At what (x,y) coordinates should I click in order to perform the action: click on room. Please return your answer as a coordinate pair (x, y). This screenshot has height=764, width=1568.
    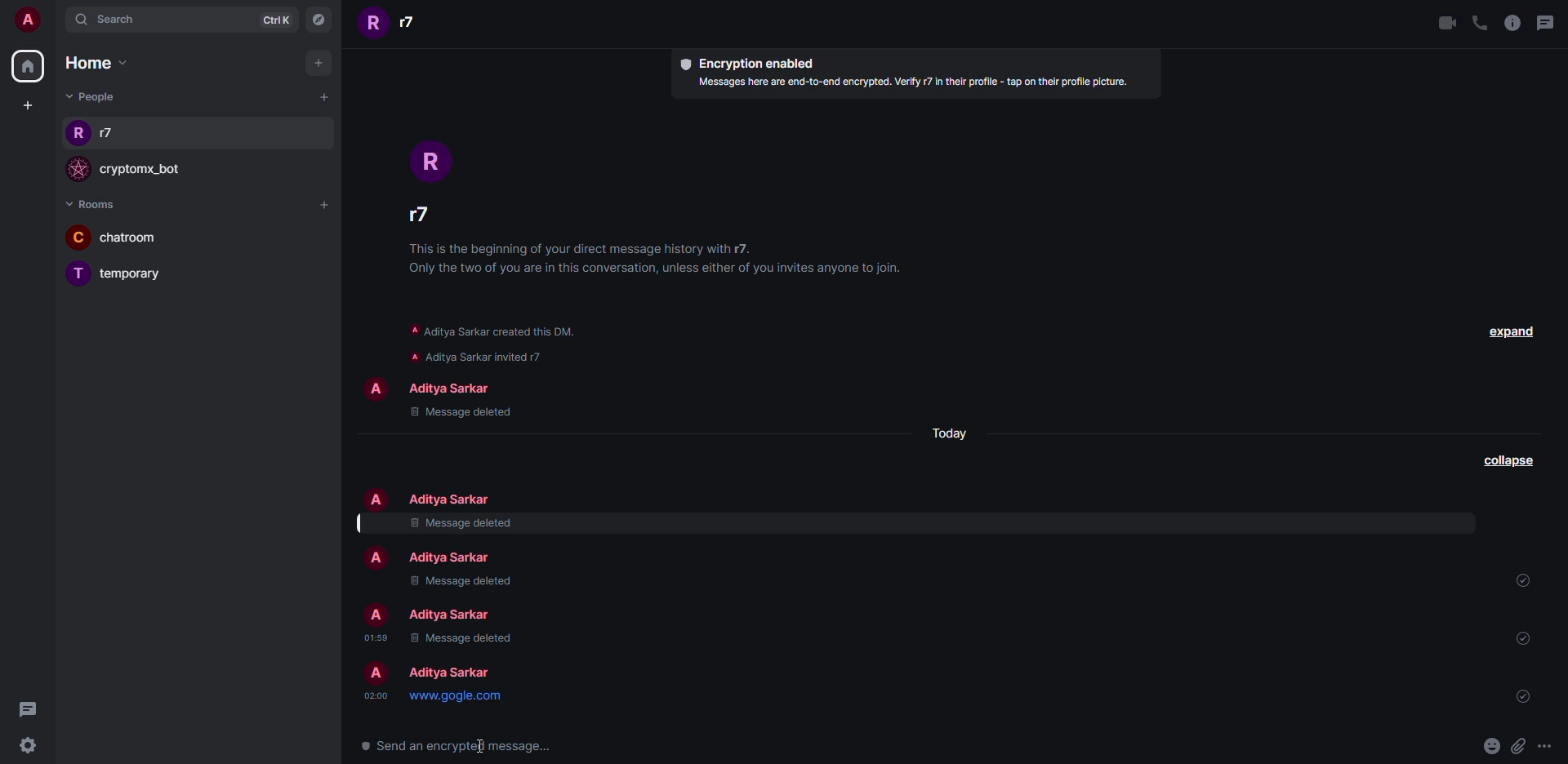
    Looking at the image, I should click on (140, 238).